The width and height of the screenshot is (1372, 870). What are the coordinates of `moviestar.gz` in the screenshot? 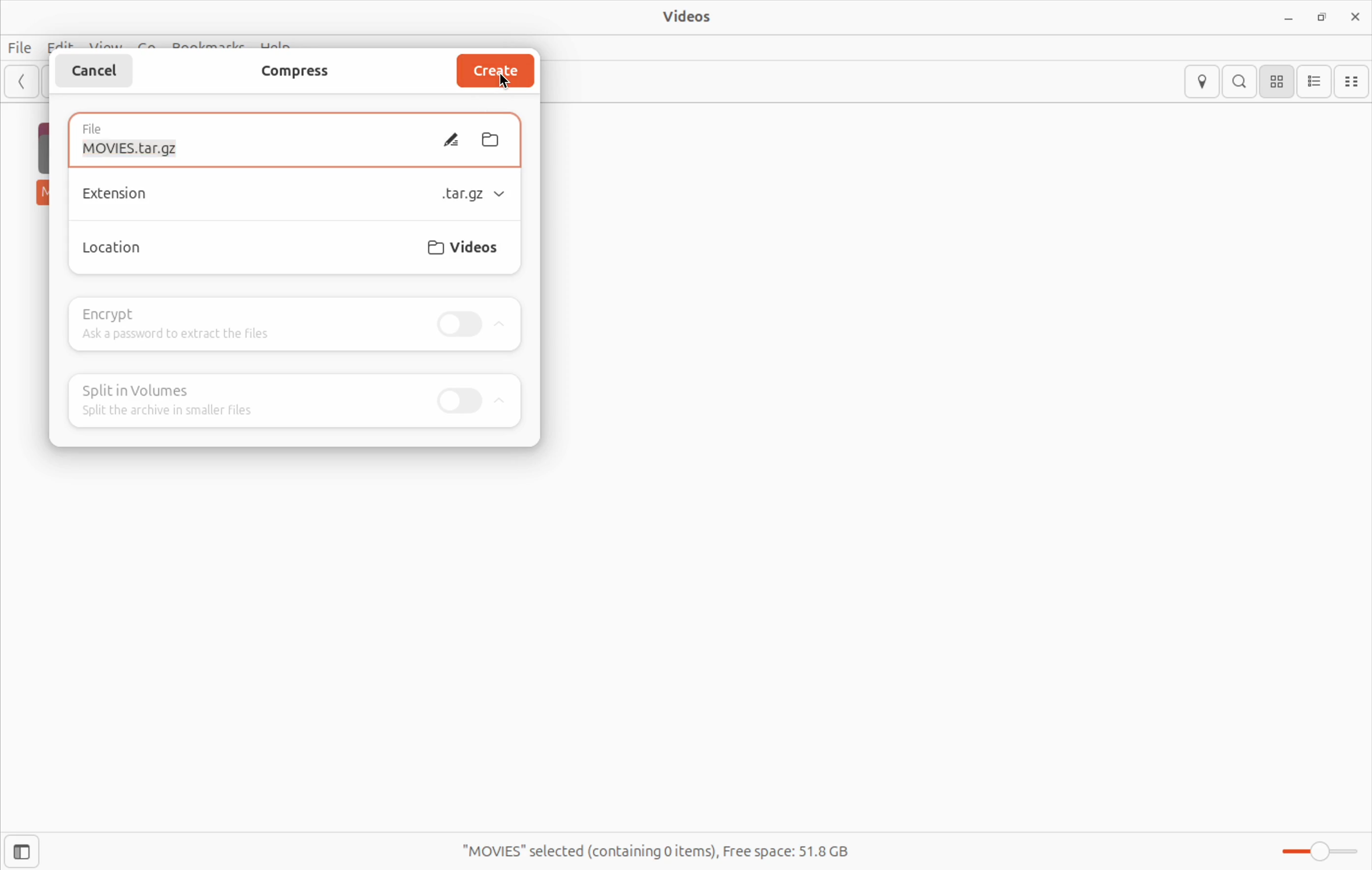 It's located at (149, 149).